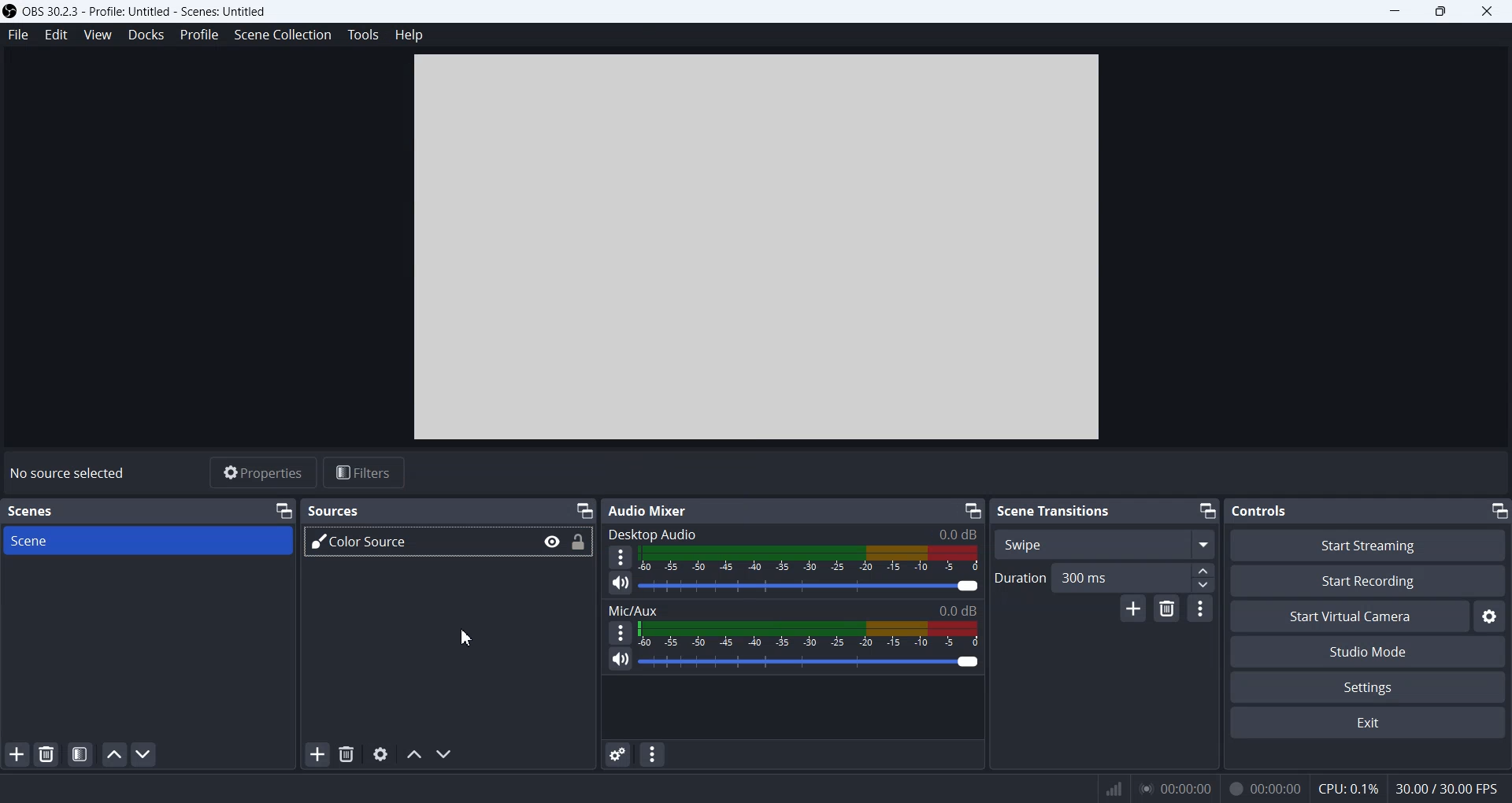 The height and width of the screenshot is (803, 1512). Describe the element at coordinates (79, 754) in the screenshot. I see `Open Scene Filters` at that location.